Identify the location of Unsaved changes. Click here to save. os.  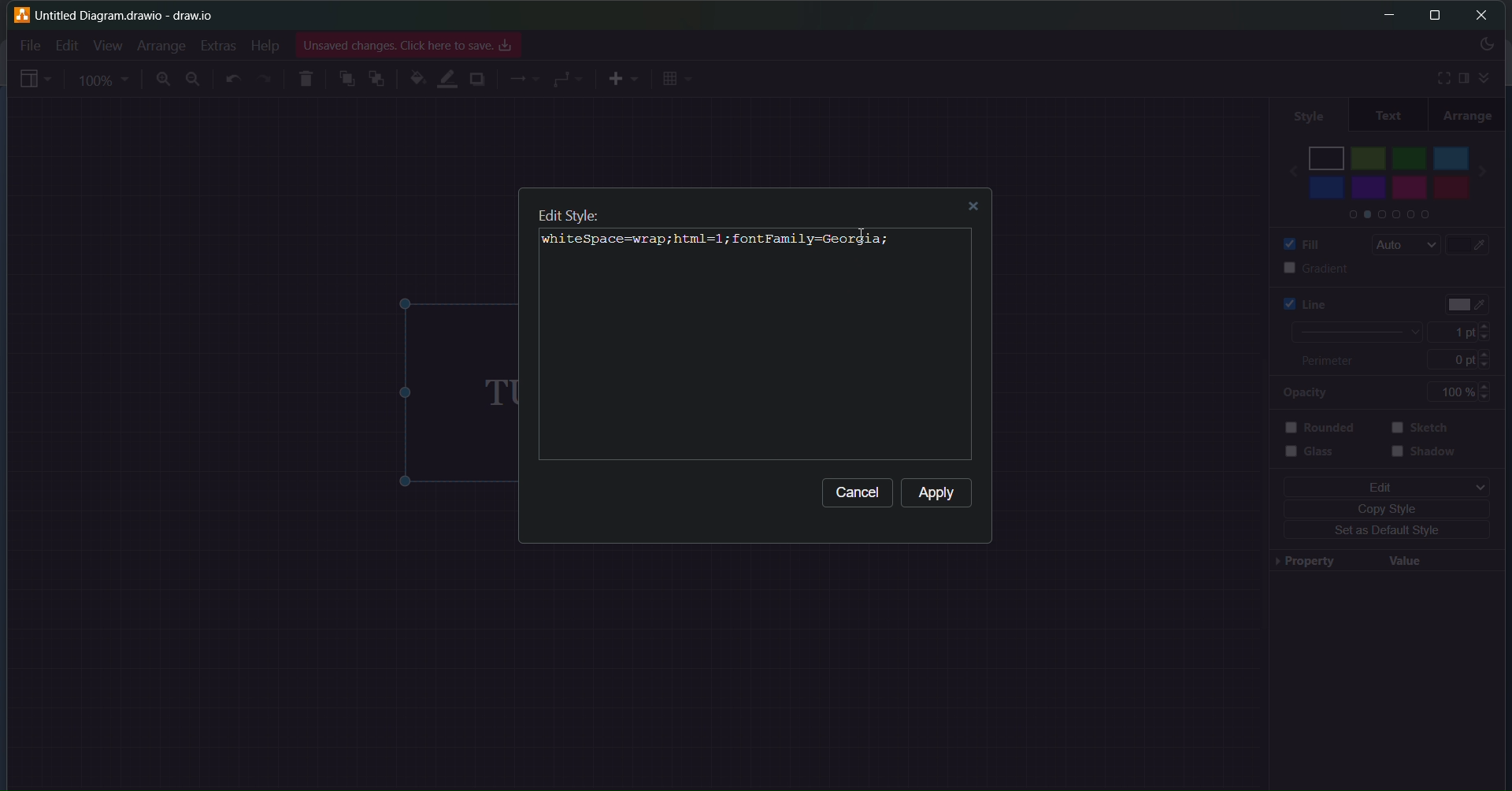
(409, 46).